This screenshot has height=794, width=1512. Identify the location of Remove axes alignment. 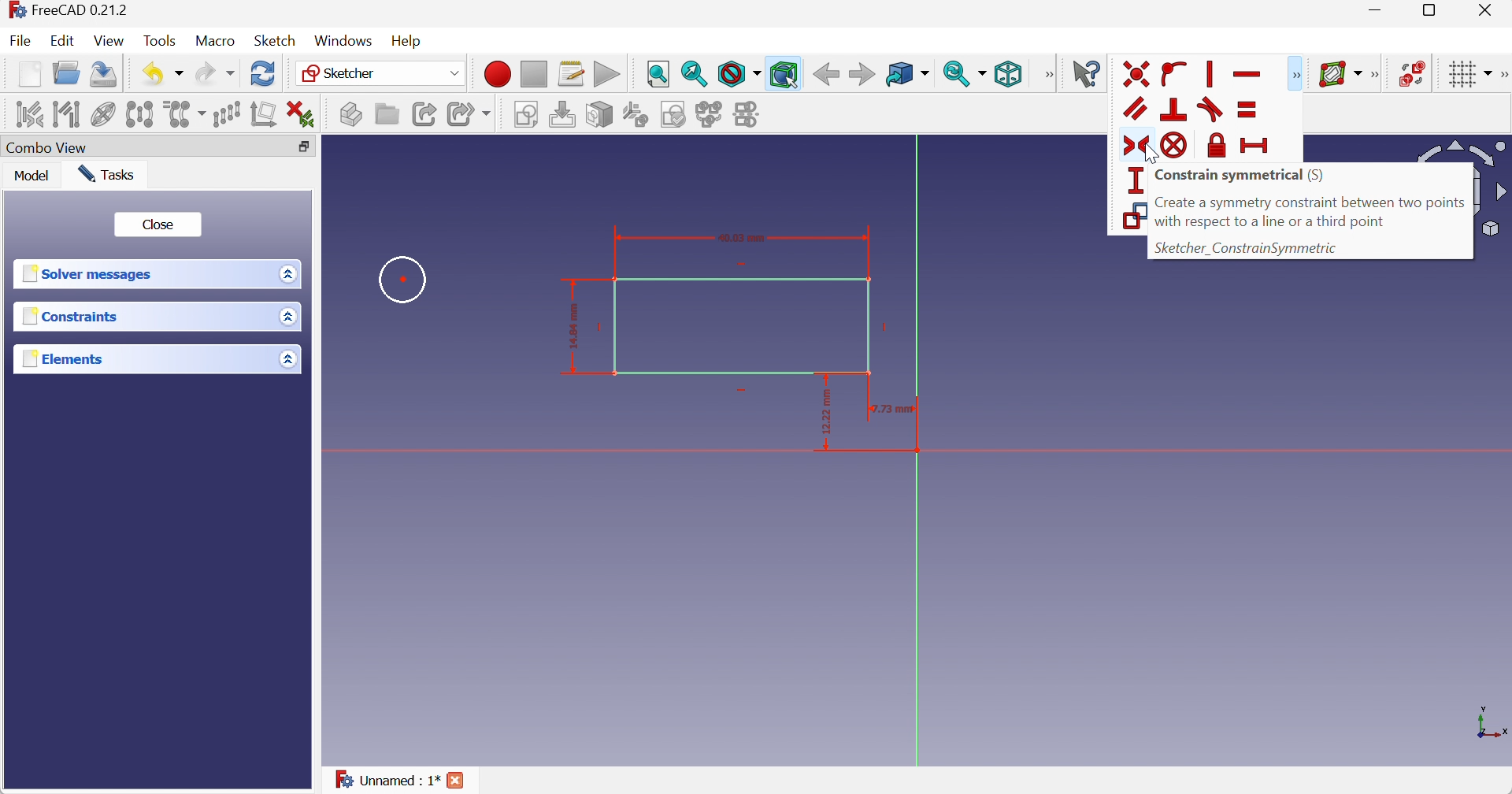
(264, 114).